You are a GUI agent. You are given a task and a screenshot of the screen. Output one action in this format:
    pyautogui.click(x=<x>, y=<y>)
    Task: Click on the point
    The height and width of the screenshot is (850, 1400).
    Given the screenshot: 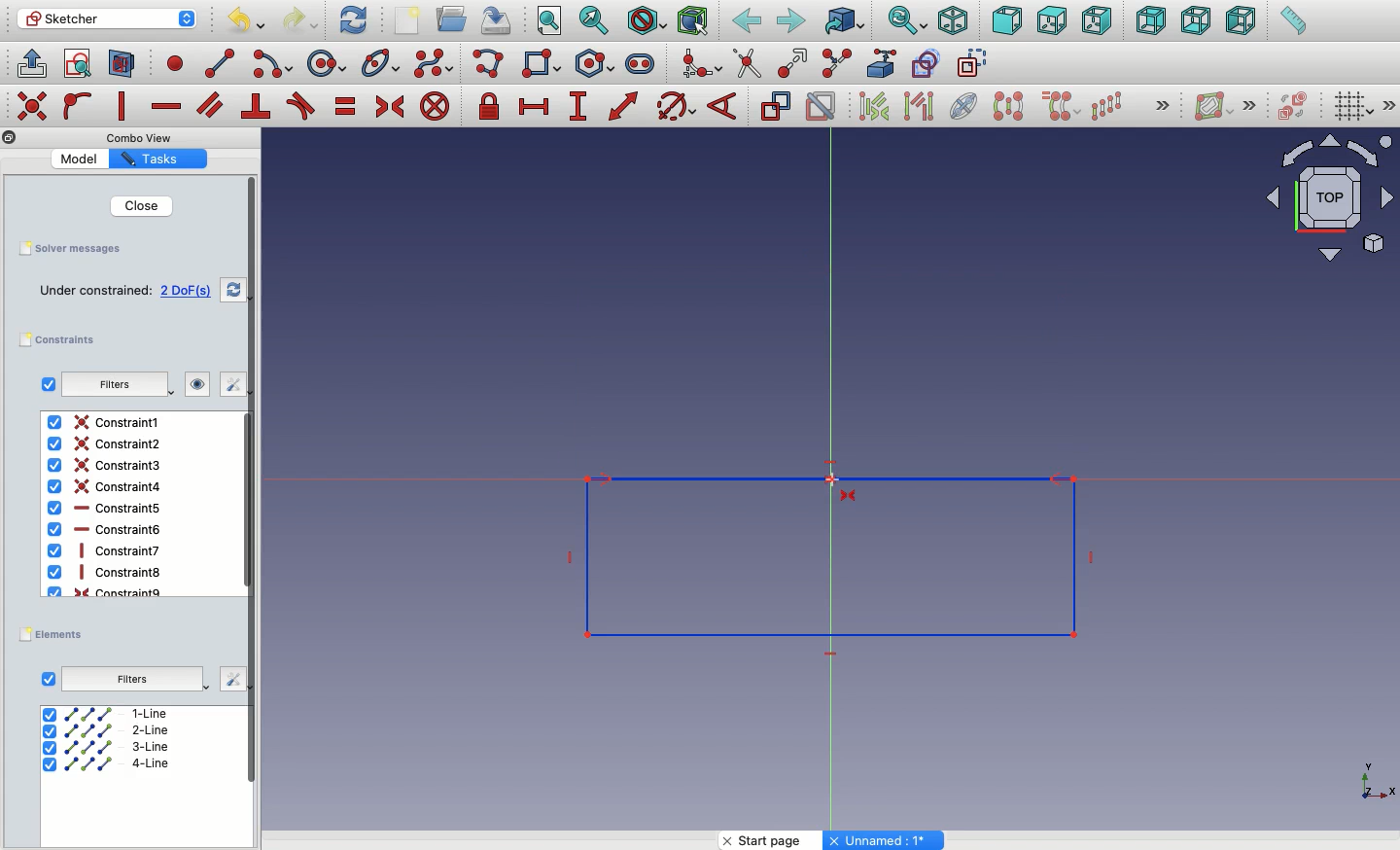 What is the action you would take?
    pyautogui.click(x=171, y=62)
    